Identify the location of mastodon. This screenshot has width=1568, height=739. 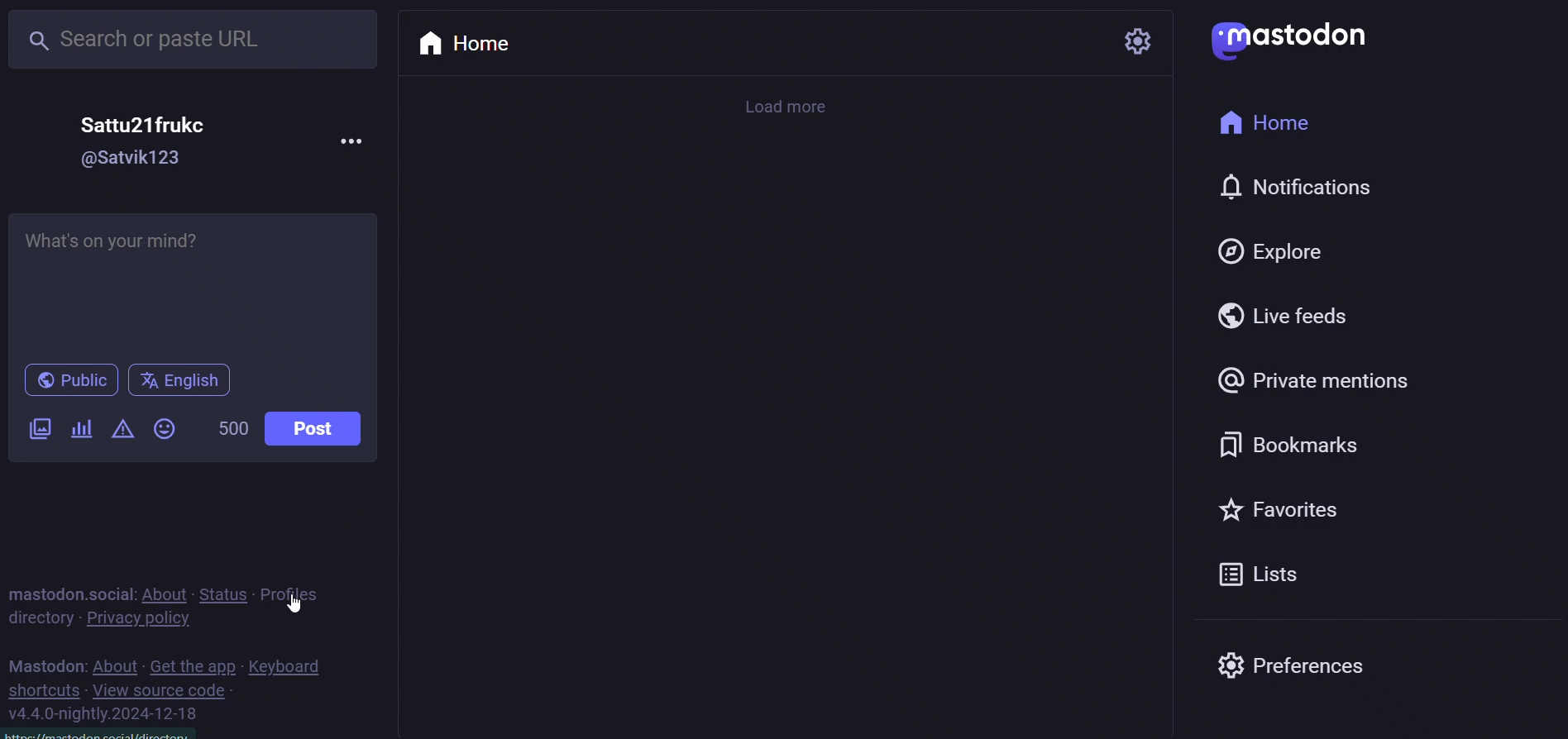
(45, 664).